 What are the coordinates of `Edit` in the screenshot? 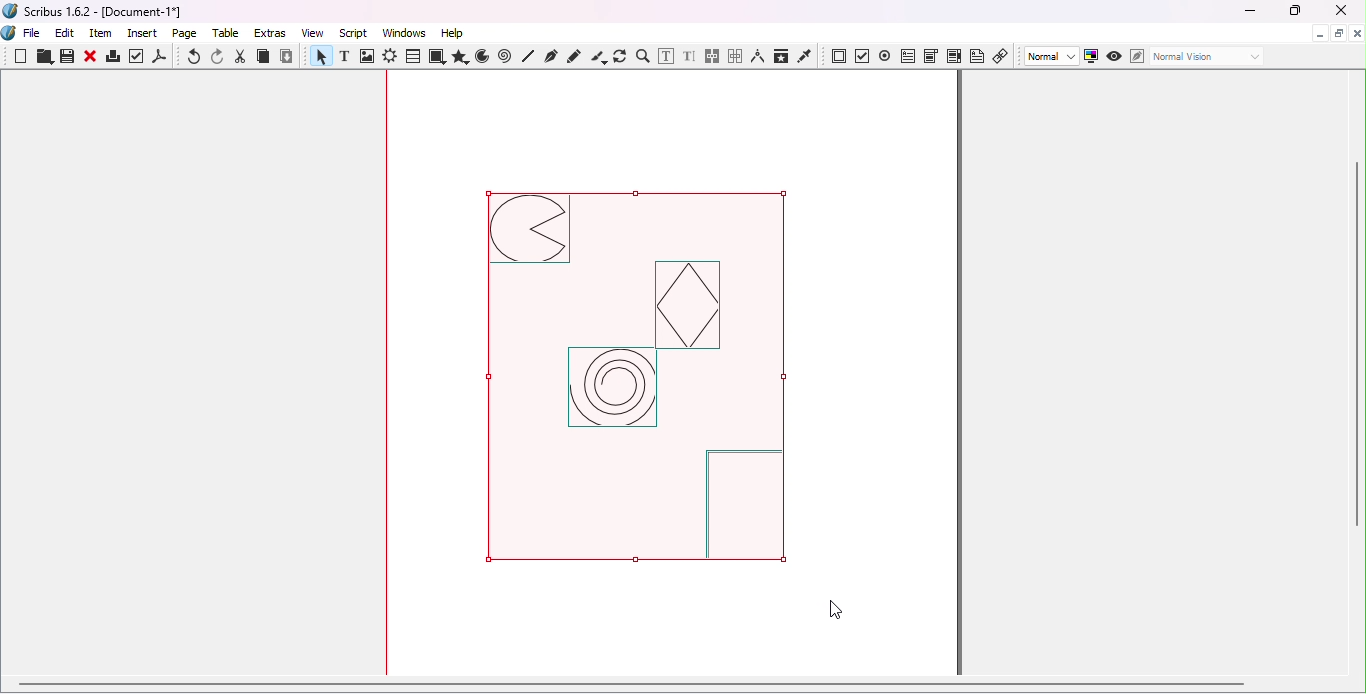 It's located at (65, 33).